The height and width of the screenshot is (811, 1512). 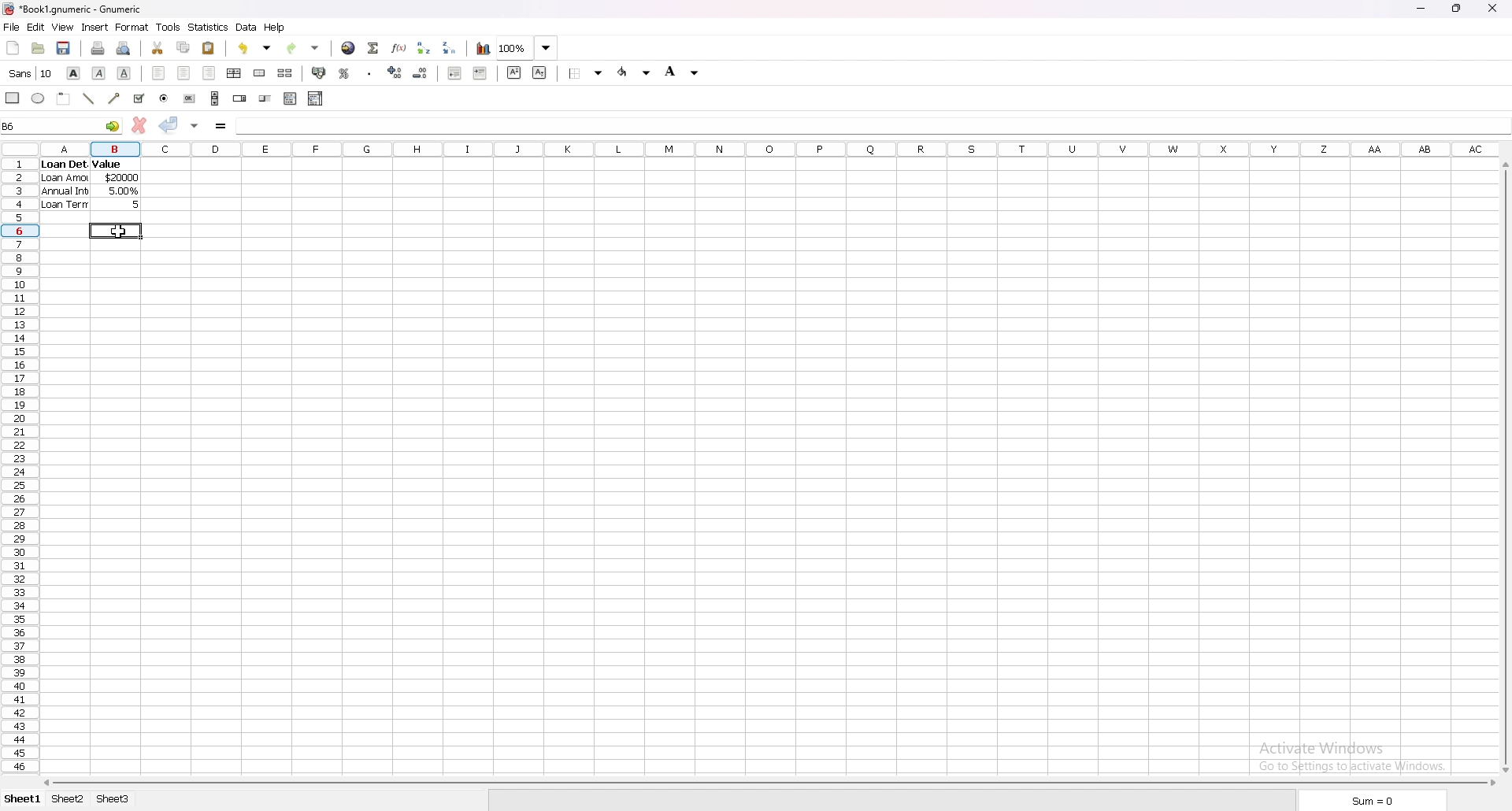 I want to click on list, so click(x=290, y=98).